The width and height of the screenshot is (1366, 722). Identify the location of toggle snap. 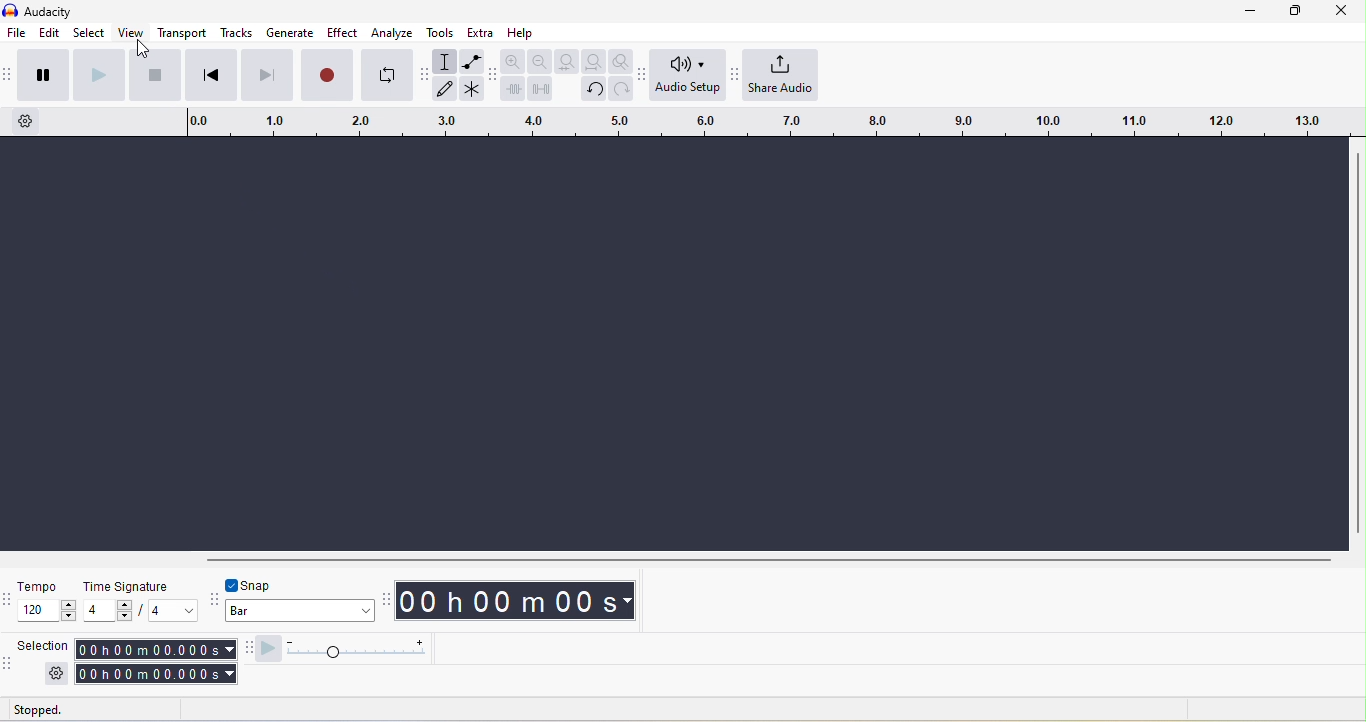
(250, 585).